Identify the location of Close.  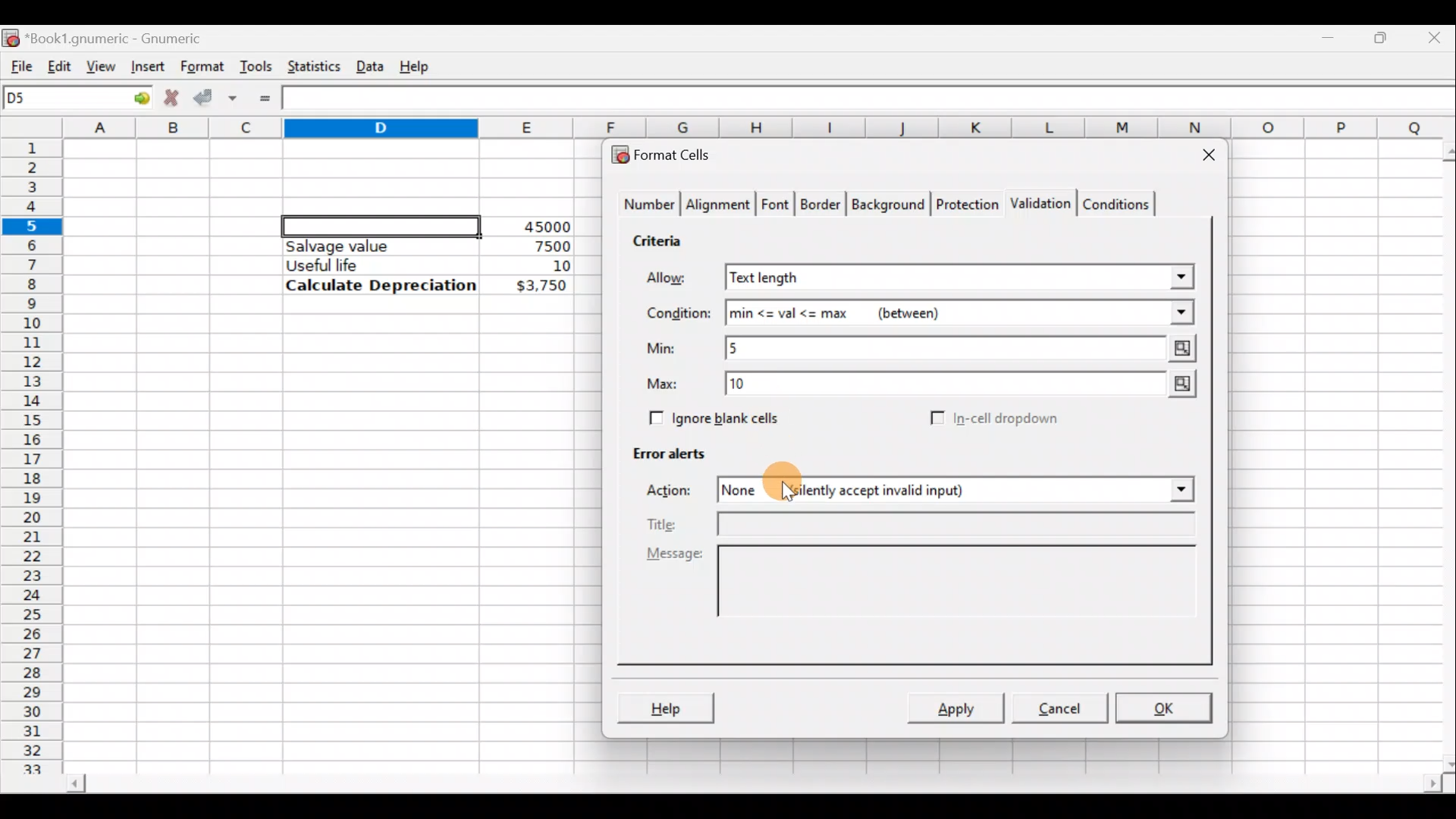
(1202, 158).